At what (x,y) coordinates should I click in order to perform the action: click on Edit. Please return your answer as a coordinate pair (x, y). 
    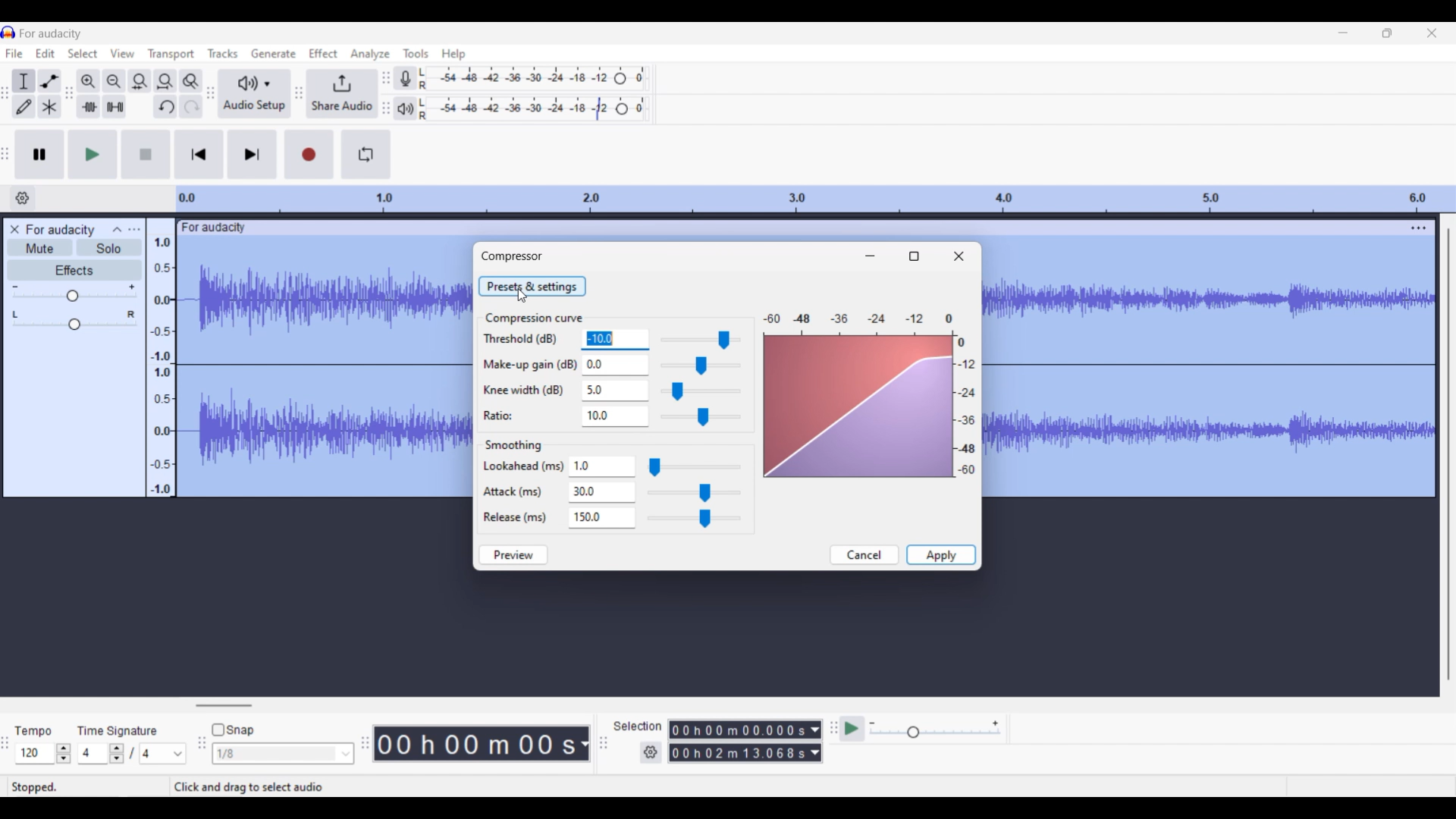
    Looking at the image, I should click on (45, 53).